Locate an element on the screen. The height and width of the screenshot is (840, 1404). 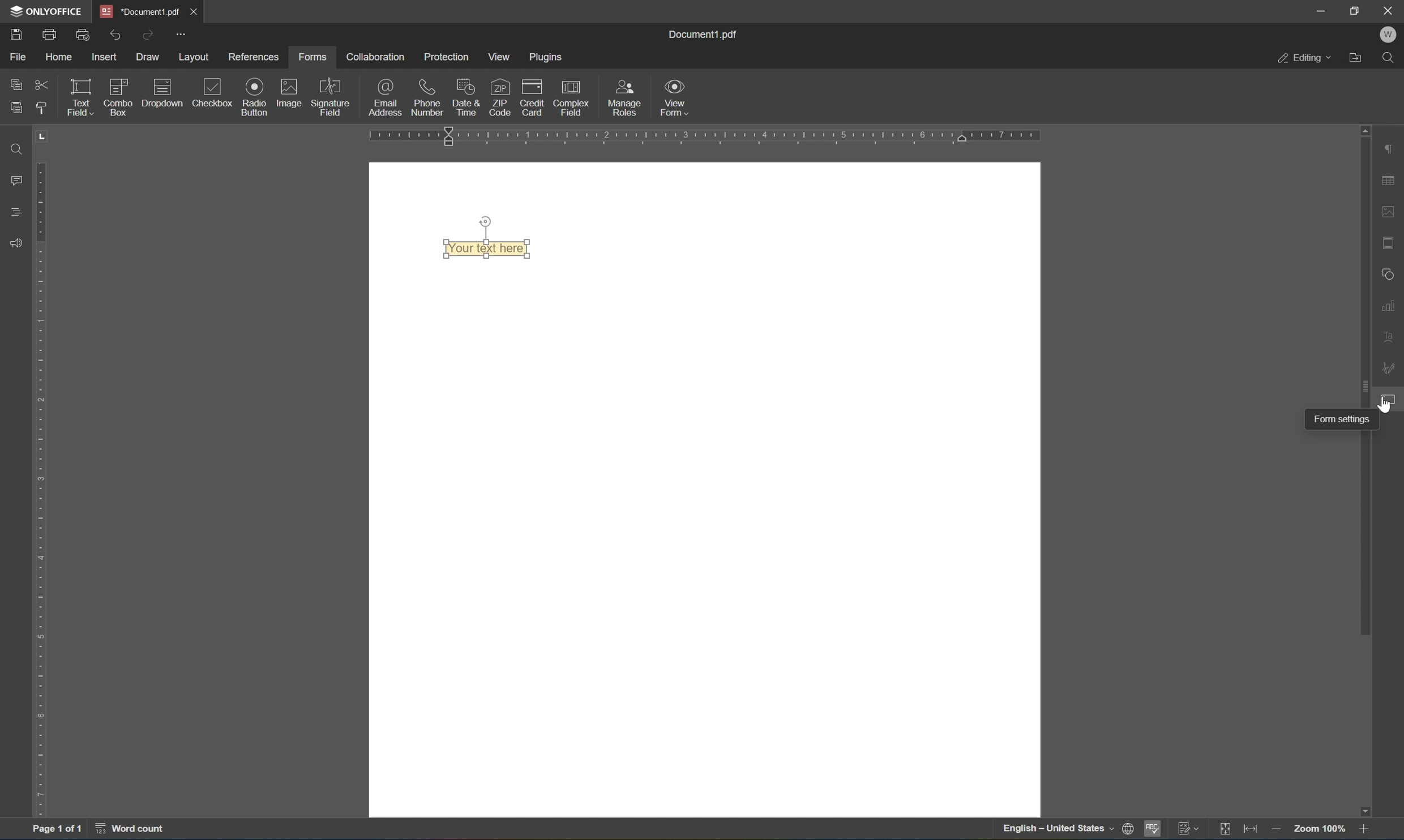
complex field is located at coordinates (571, 97).